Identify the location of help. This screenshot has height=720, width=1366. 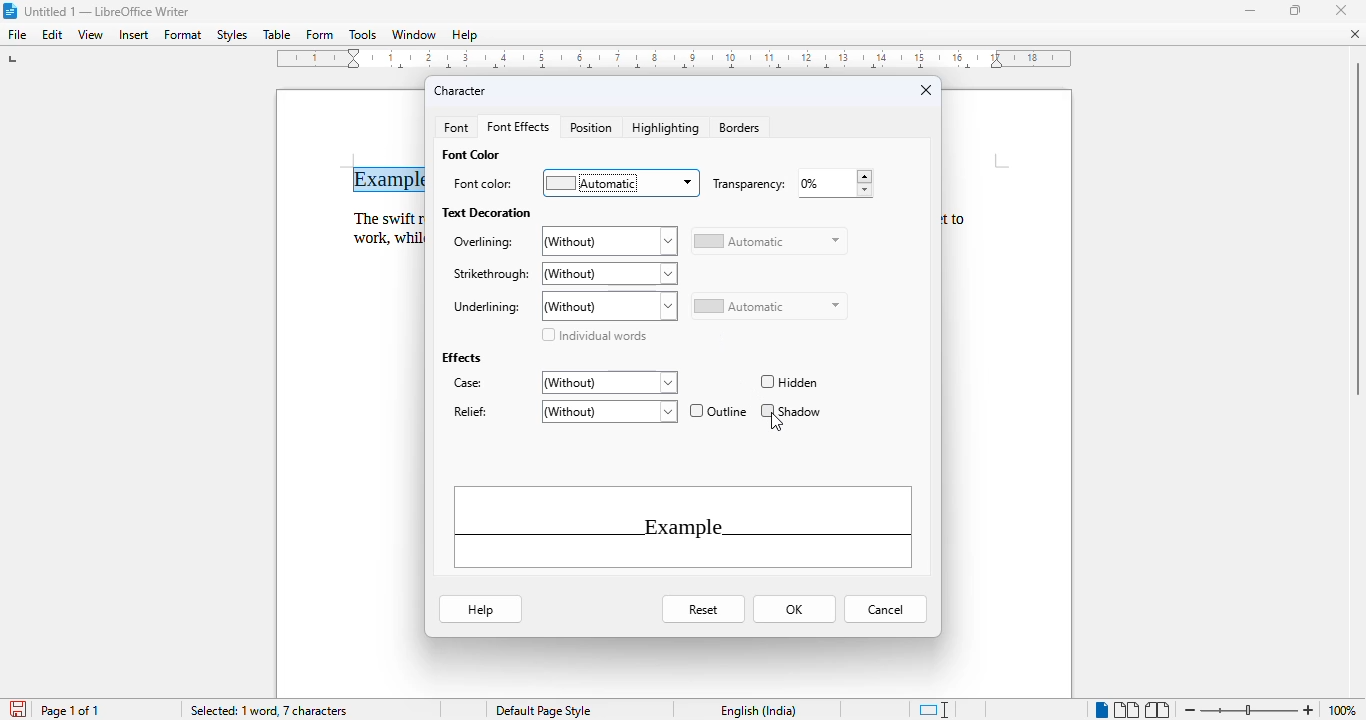
(465, 35).